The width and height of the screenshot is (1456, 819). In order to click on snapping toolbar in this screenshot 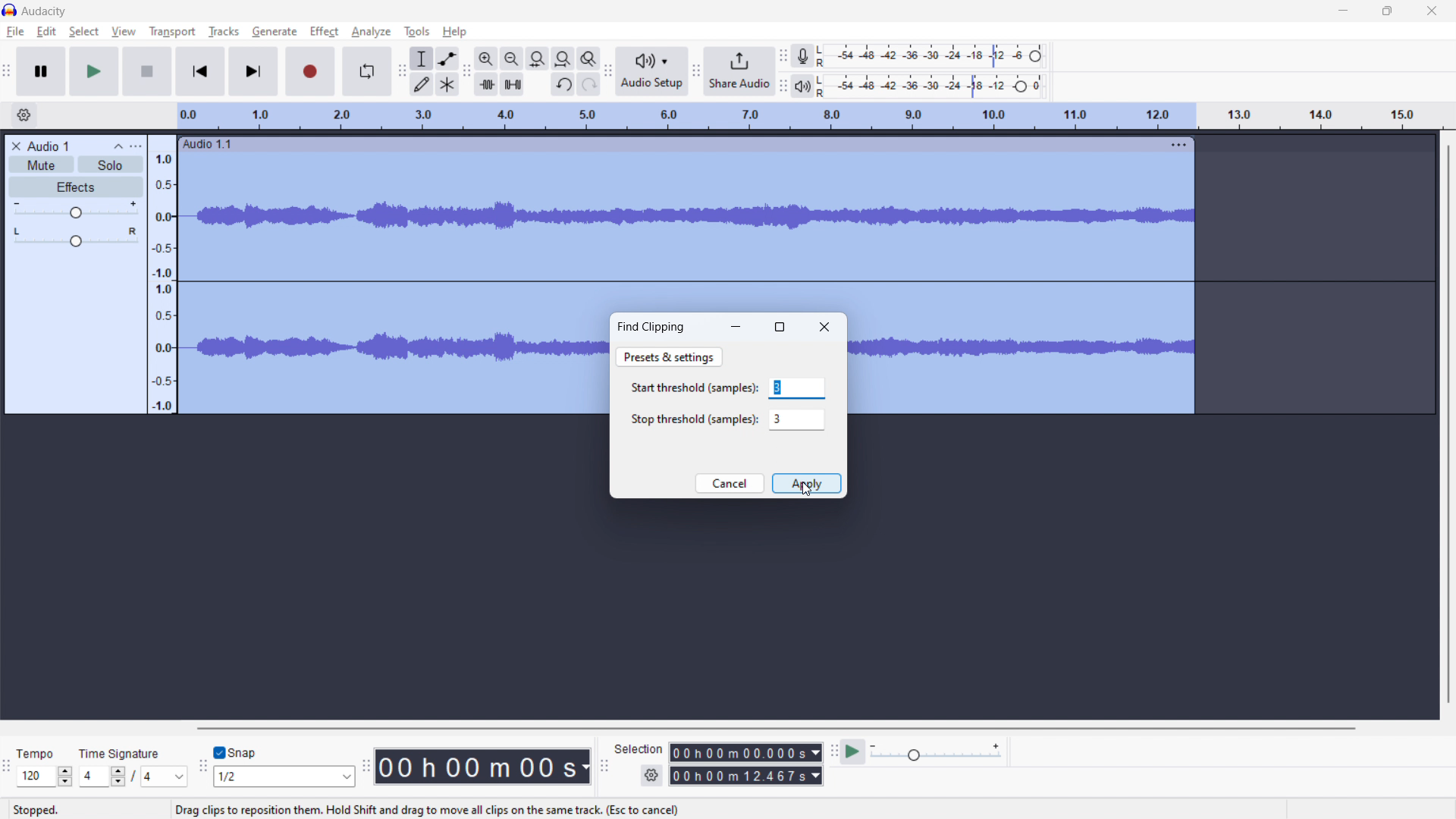, I will do `click(202, 766)`.